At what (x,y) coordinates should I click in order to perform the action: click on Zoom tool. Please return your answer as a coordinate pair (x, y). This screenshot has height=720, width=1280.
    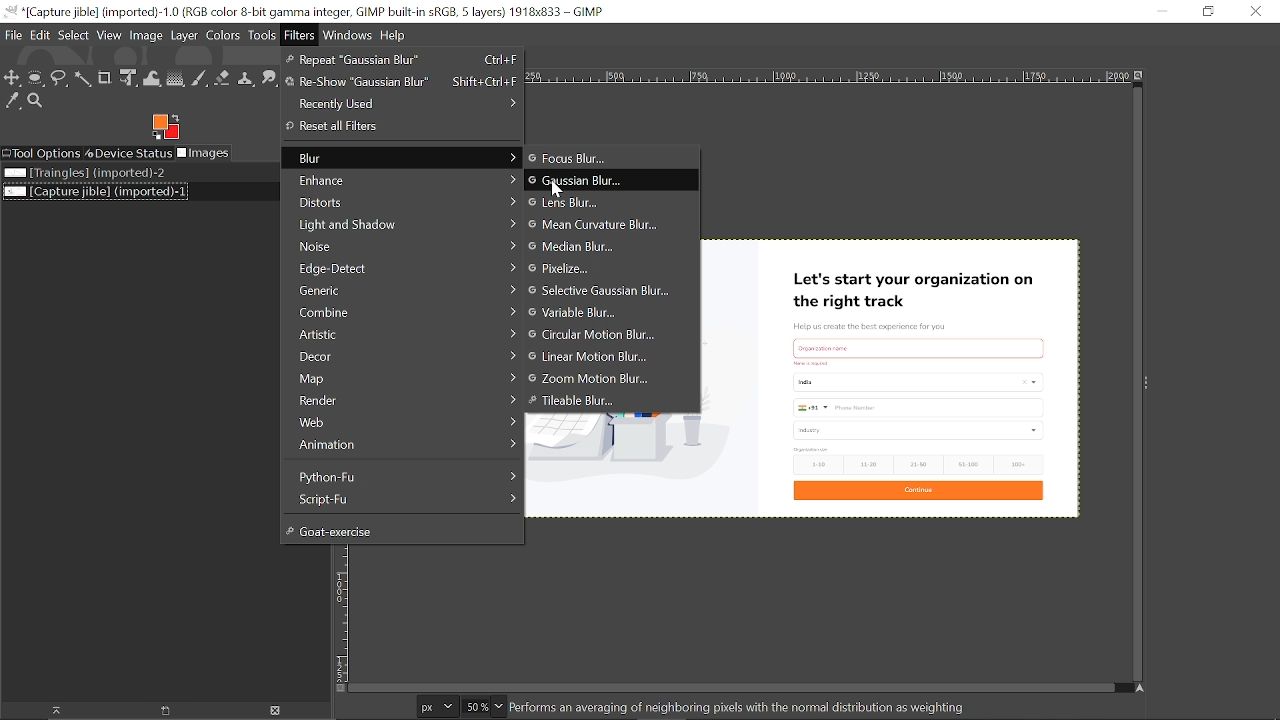
    Looking at the image, I should click on (36, 101).